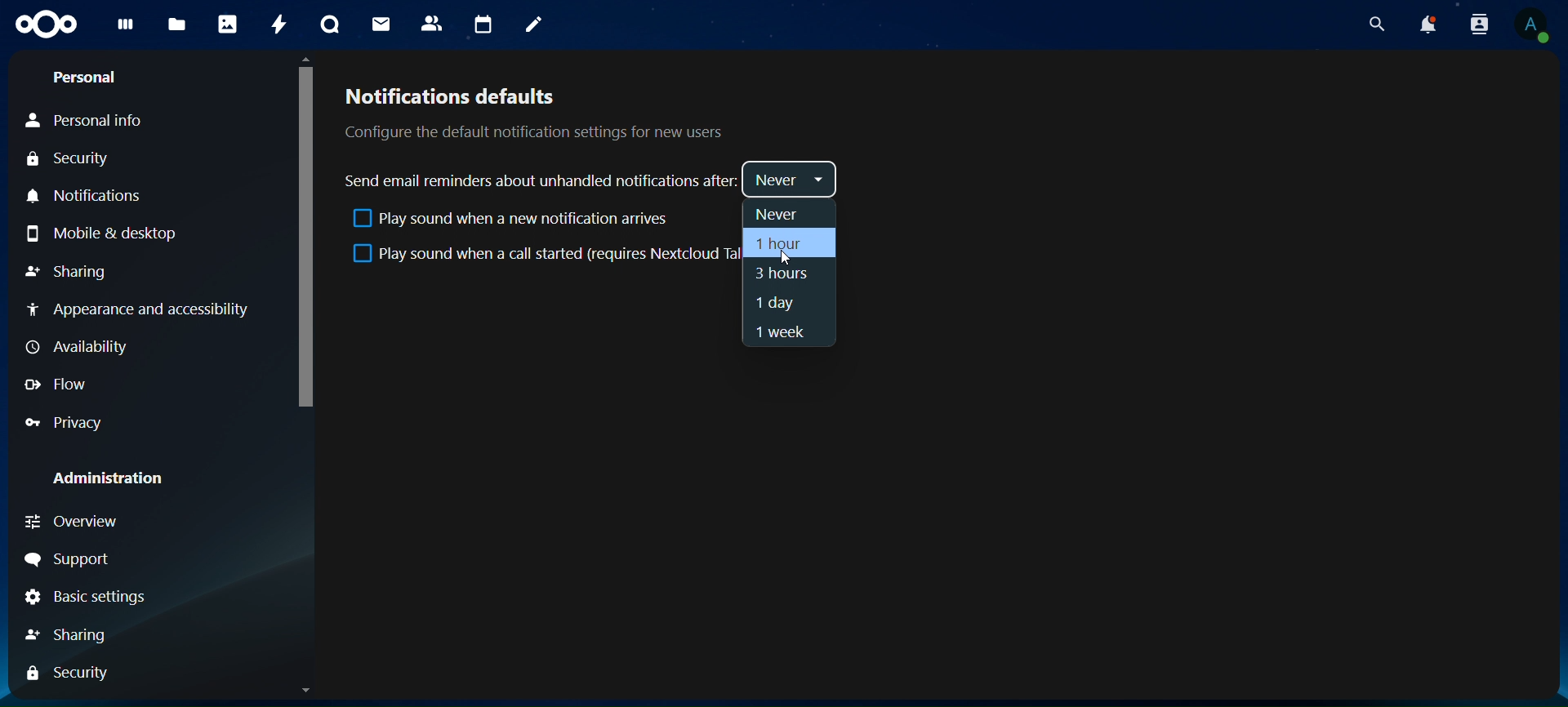 This screenshot has height=707, width=1568. I want to click on 3  hours, so click(781, 277).